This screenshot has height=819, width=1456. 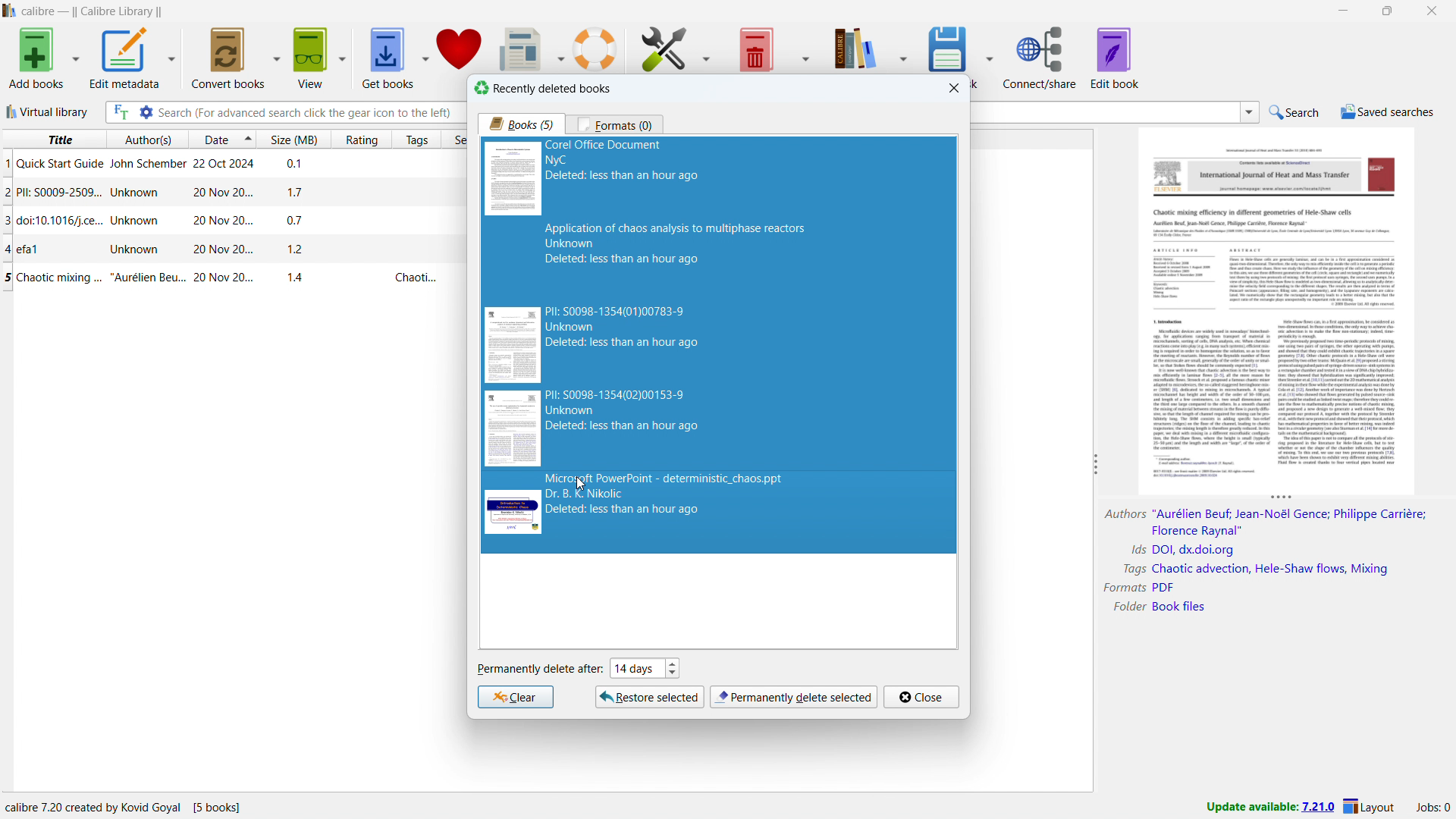 What do you see at coordinates (651, 697) in the screenshot?
I see `restore selcted` at bounding box center [651, 697].